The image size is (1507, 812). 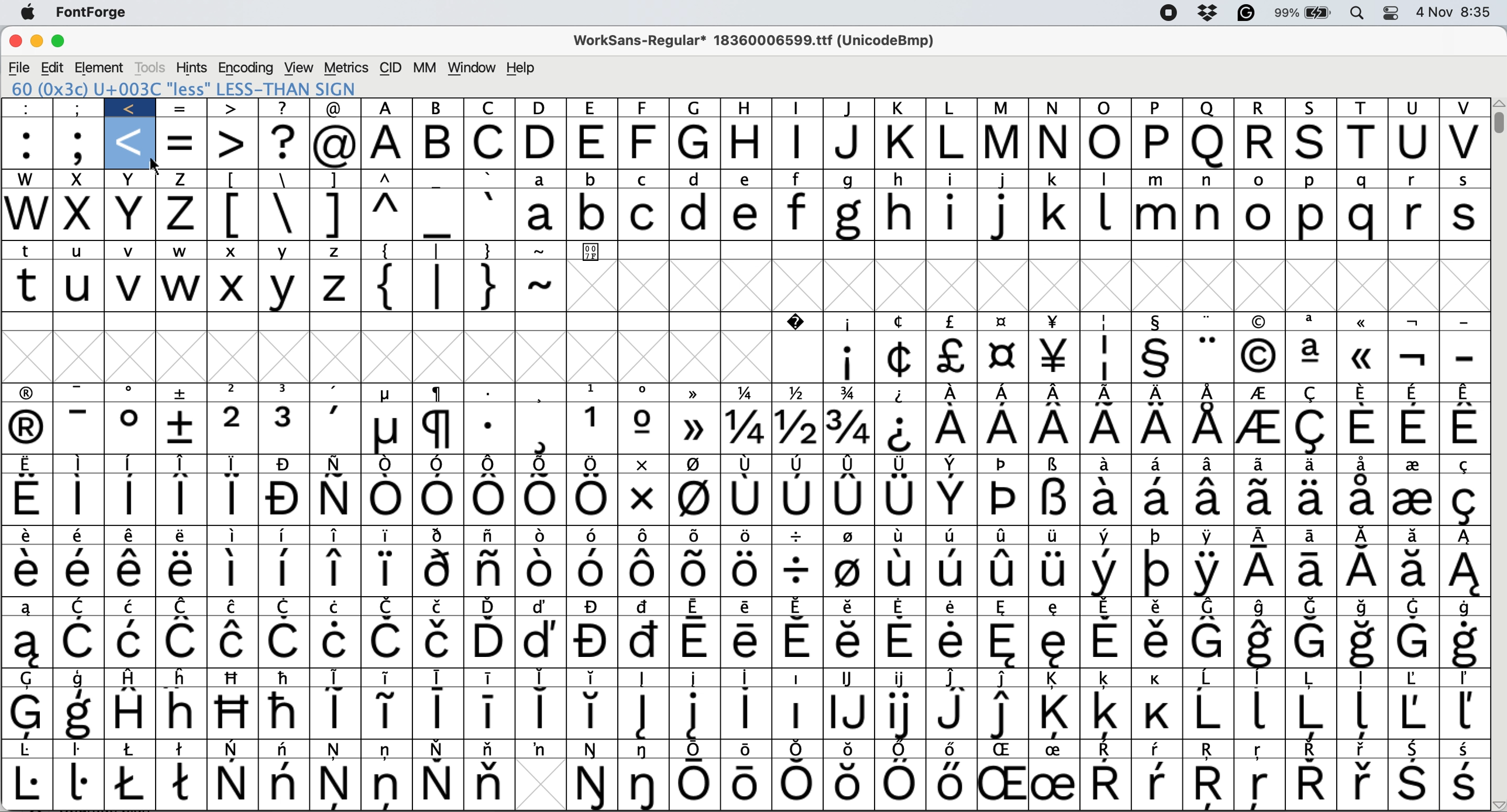 I want to click on Symbol, so click(x=29, y=394).